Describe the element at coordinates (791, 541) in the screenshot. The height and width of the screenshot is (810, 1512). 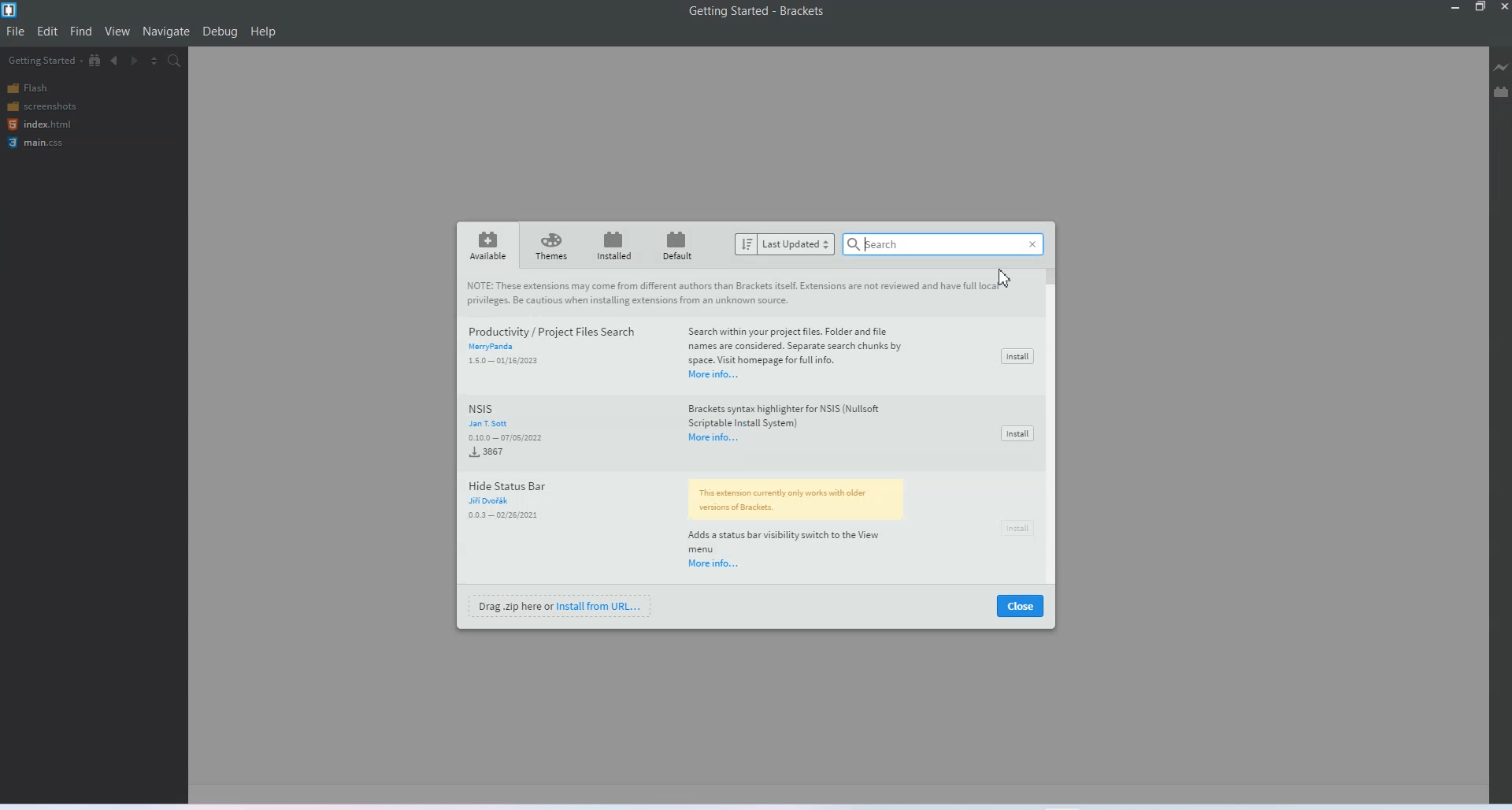
I see `Adds a status bar visibility switch in the View menu` at that location.